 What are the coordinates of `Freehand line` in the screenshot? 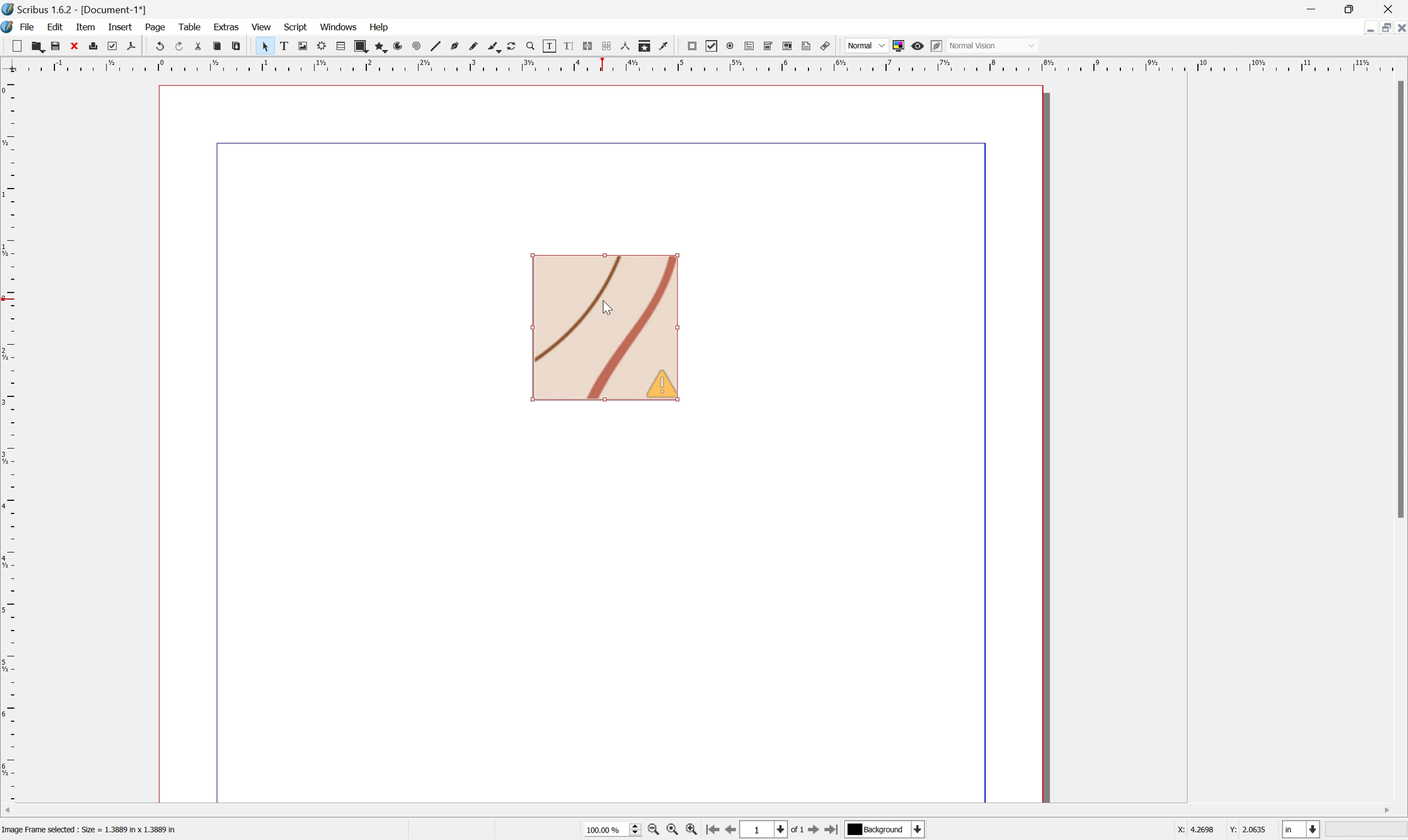 It's located at (477, 48).